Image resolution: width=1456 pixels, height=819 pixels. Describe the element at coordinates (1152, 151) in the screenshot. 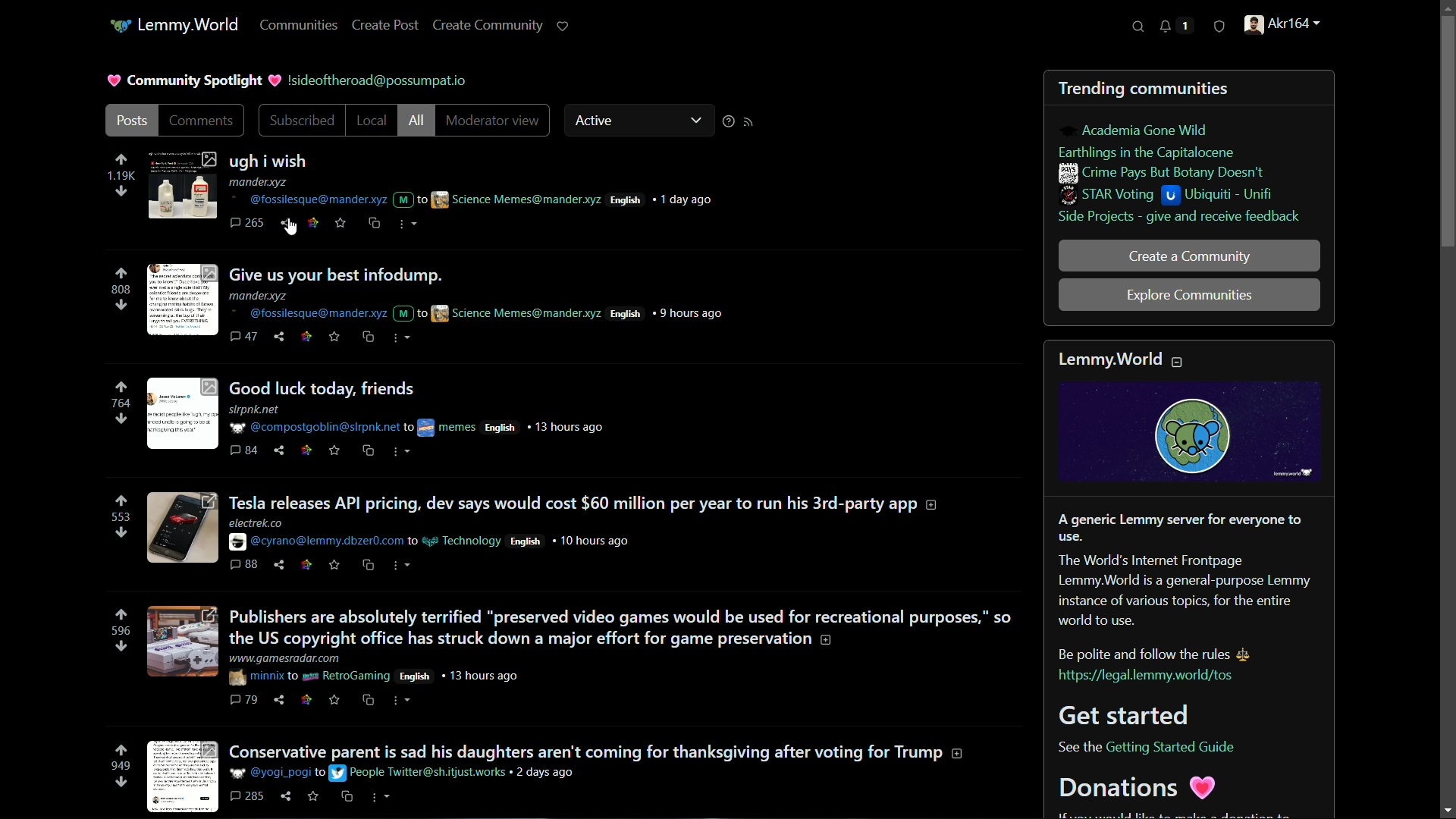

I see `earthlings in the capitalocene` at that location.